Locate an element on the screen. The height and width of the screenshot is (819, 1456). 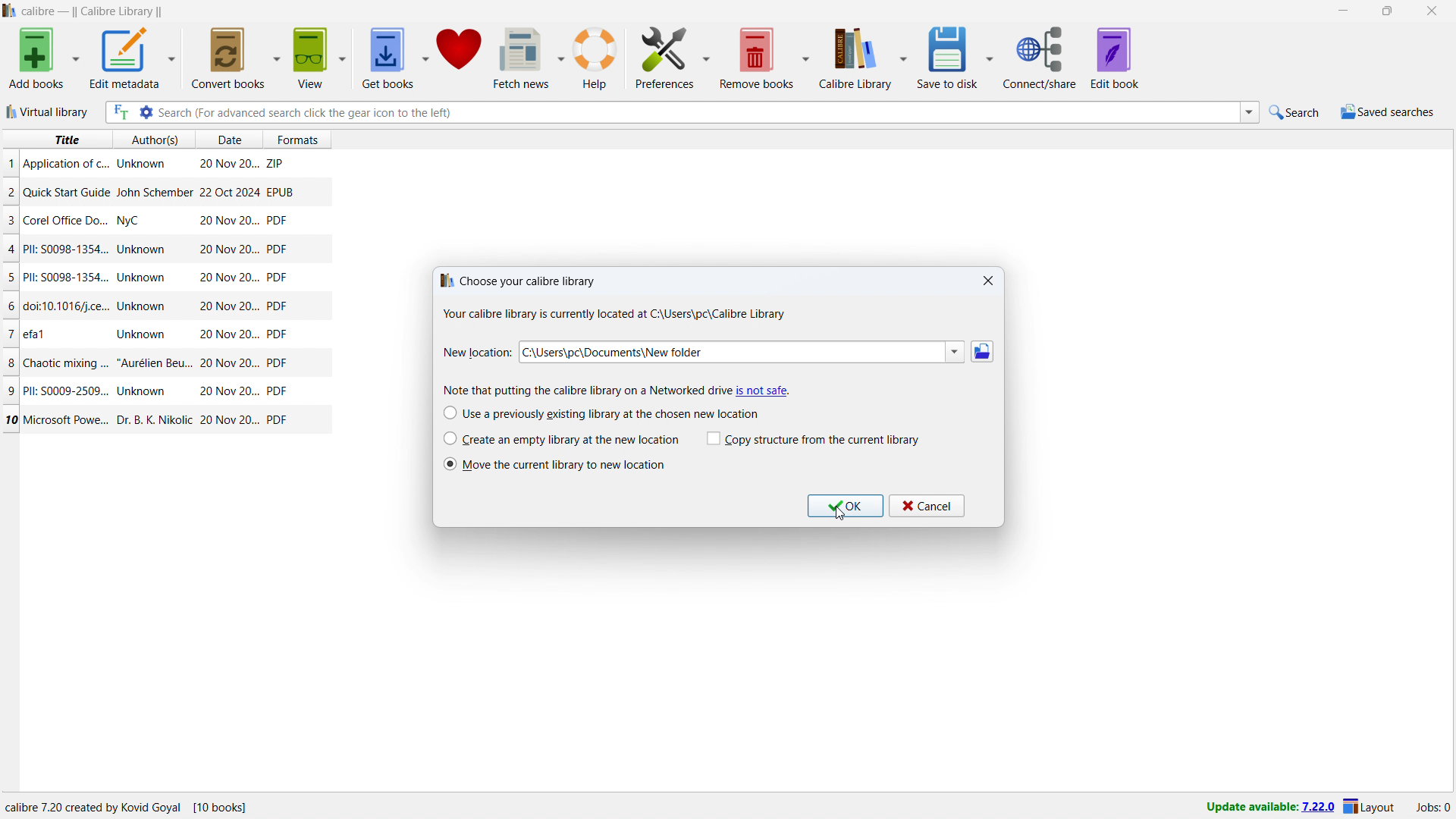
Author is located at coordinates (131, 222).